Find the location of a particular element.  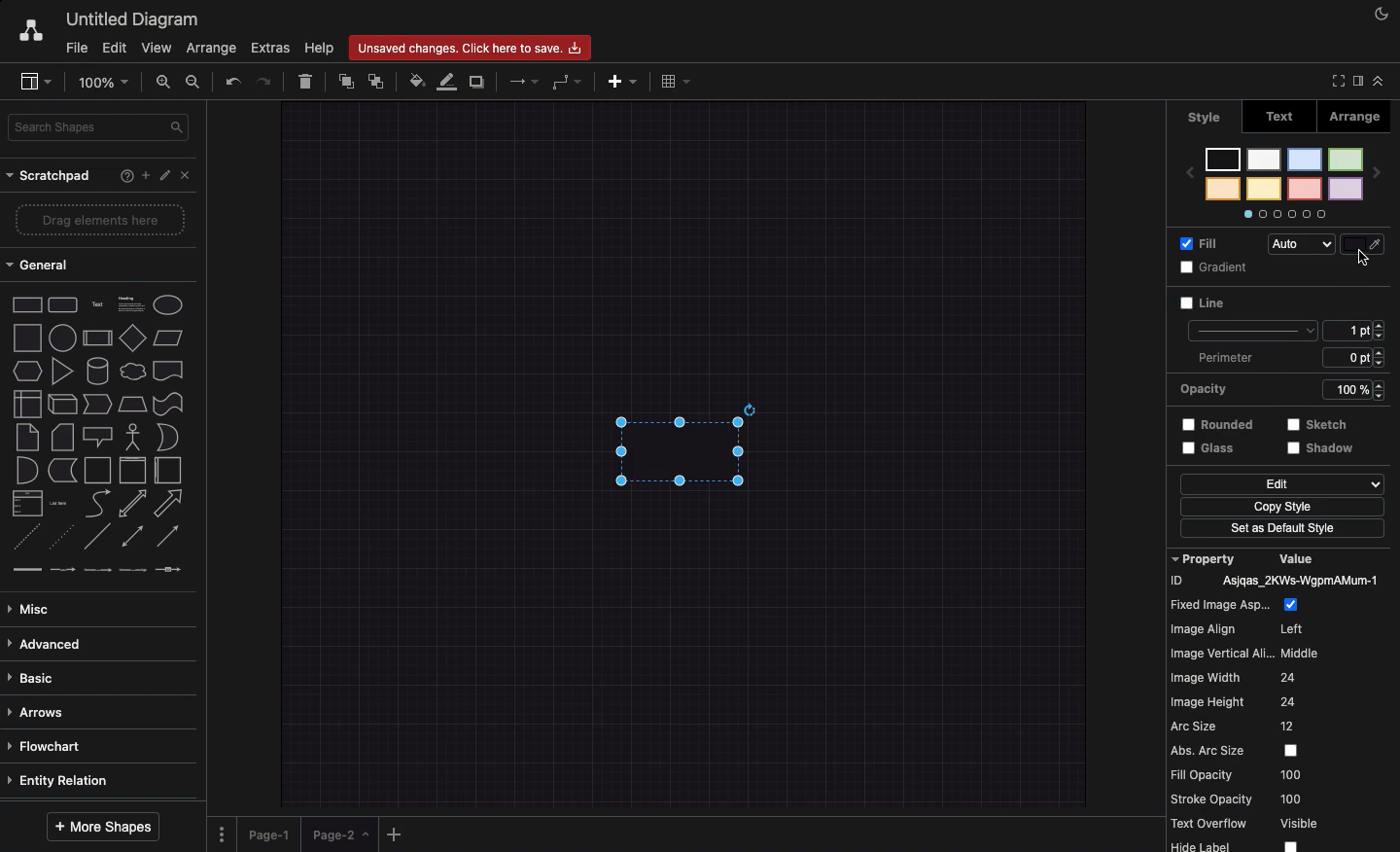

bidirectional arrow is located at coordinates (132, 503).